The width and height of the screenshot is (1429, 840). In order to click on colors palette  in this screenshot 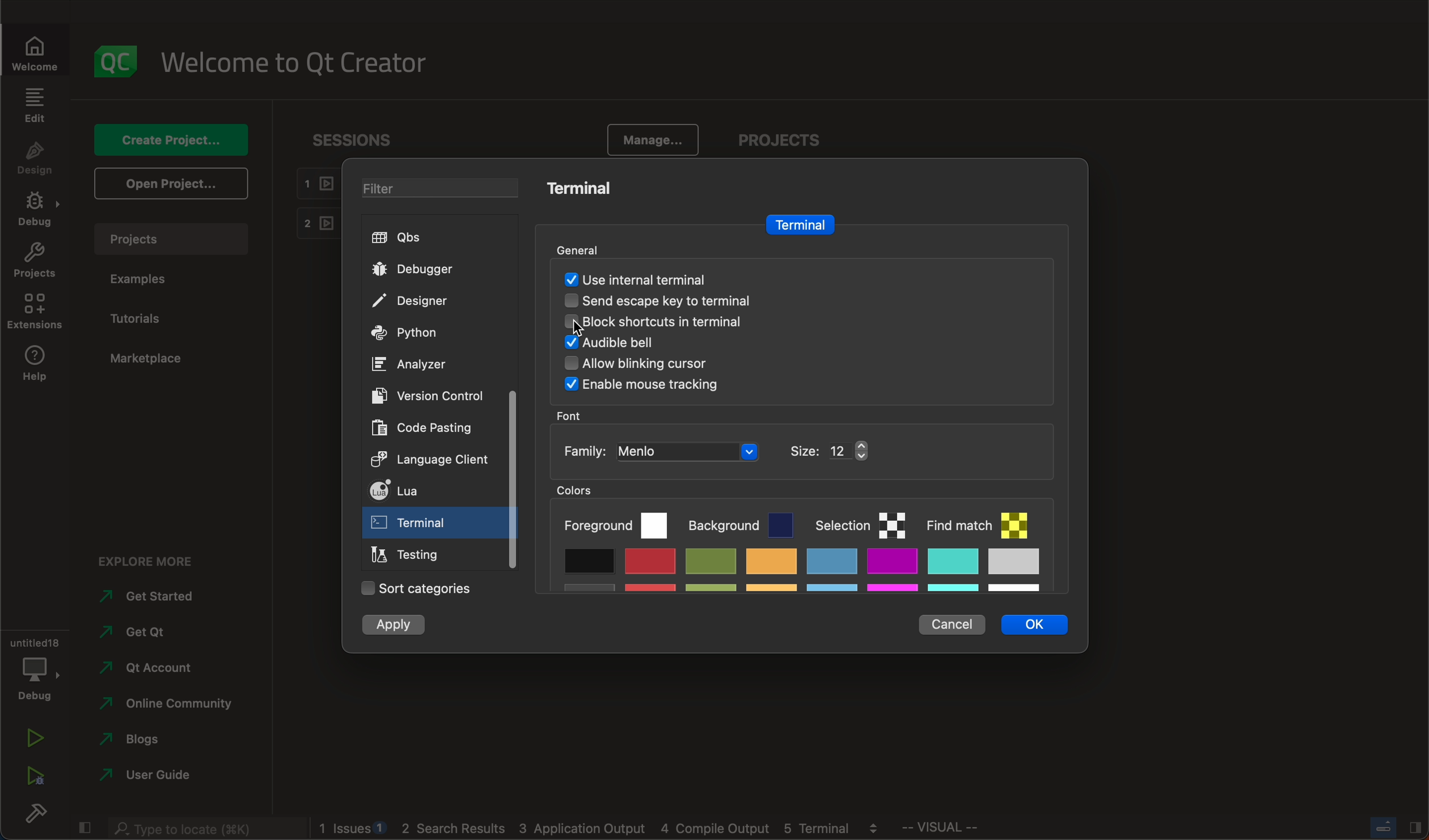, I will do `click(811, 538)`.